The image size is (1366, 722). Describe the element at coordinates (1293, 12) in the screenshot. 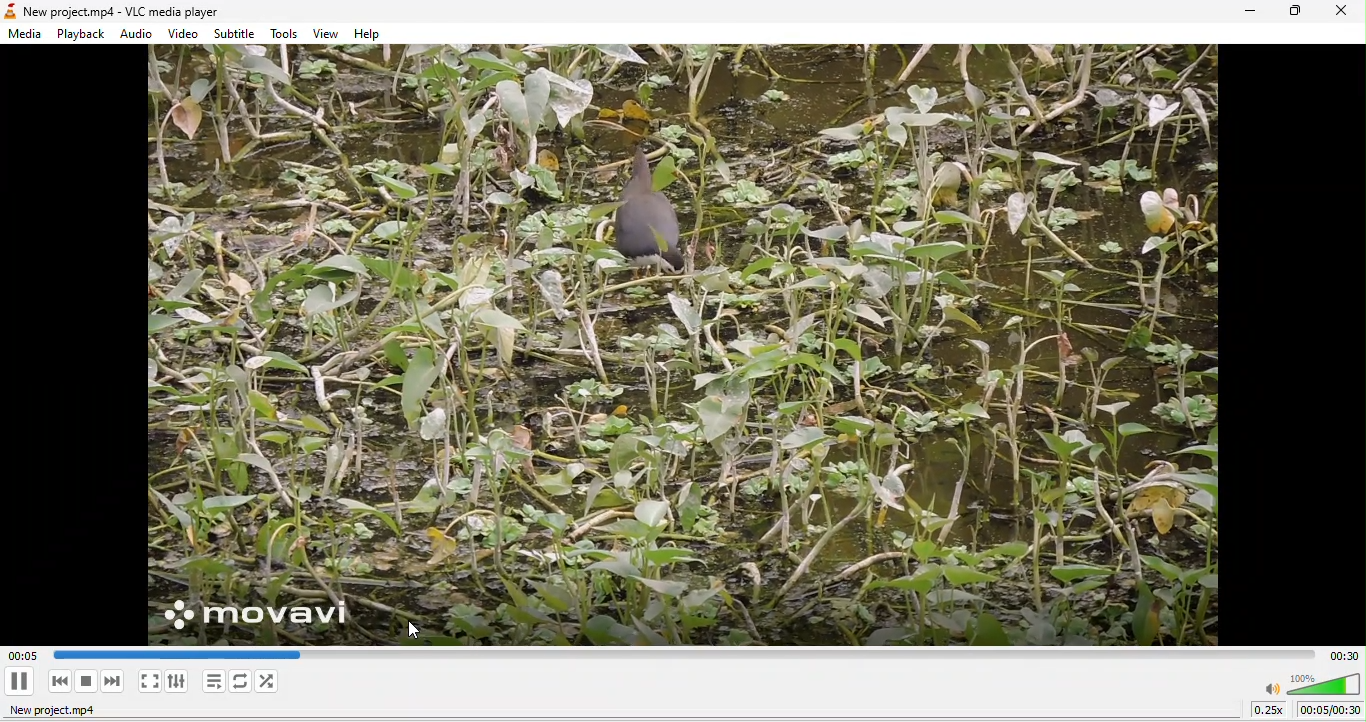

I see `maximize` at that location.